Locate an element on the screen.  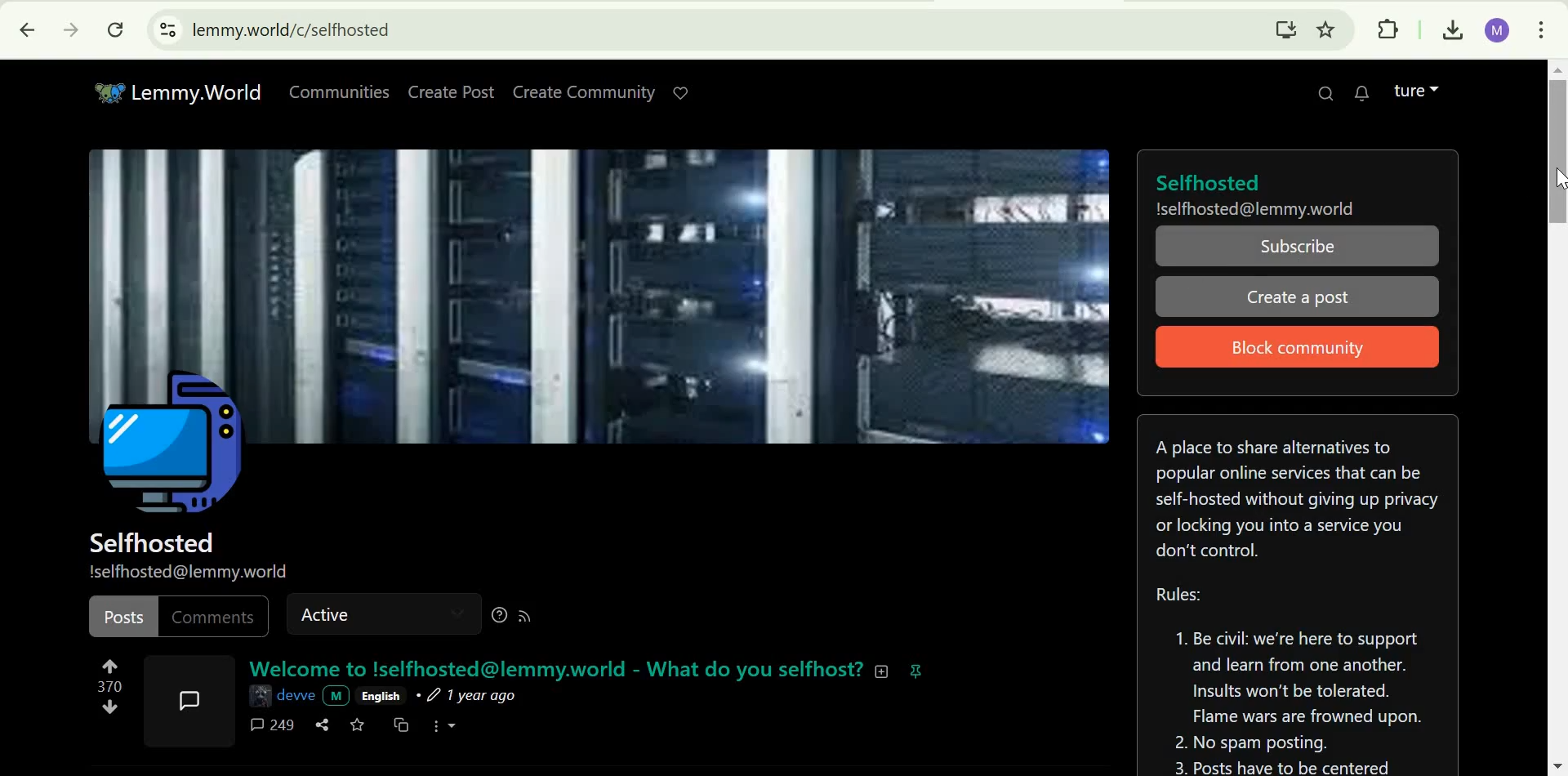
expand here is located at coordinates (189, 698).